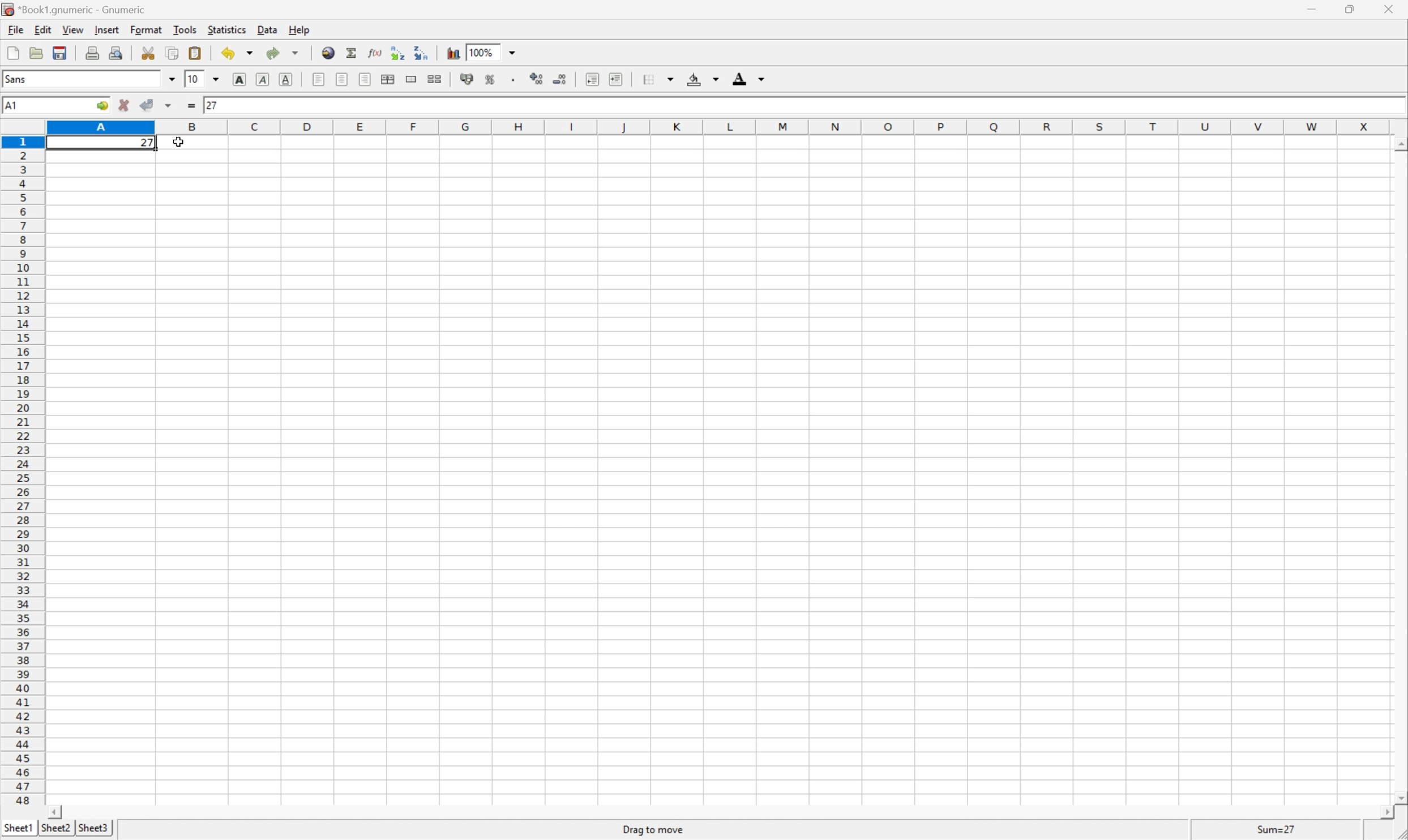  Describe the element at coordinates (514, 79) in the screenshot. I see `Set the format of the selected cells to include a thousands separator` at that location.